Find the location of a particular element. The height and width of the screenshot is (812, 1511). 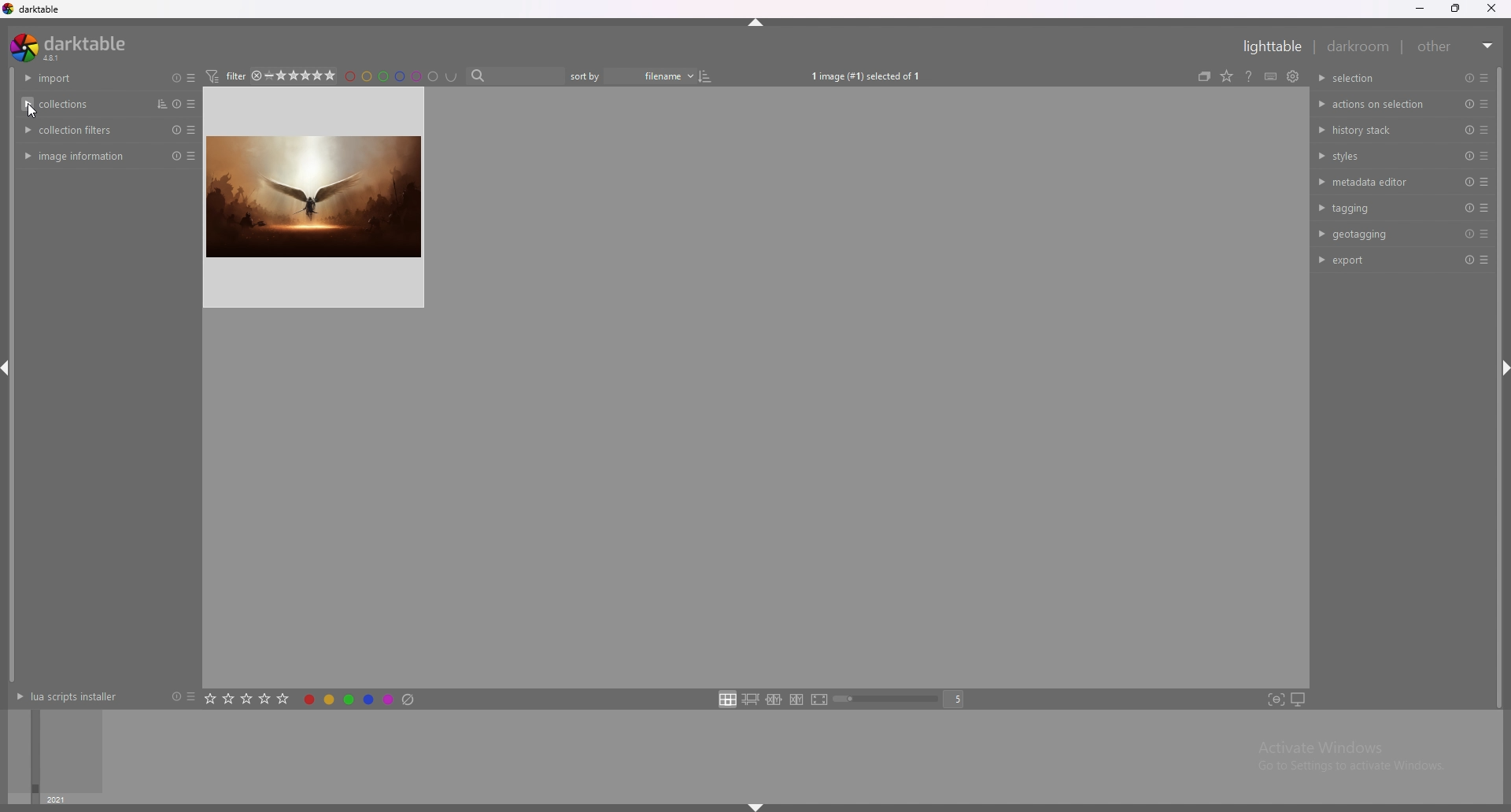

filter is located at coordinates (232, 76).